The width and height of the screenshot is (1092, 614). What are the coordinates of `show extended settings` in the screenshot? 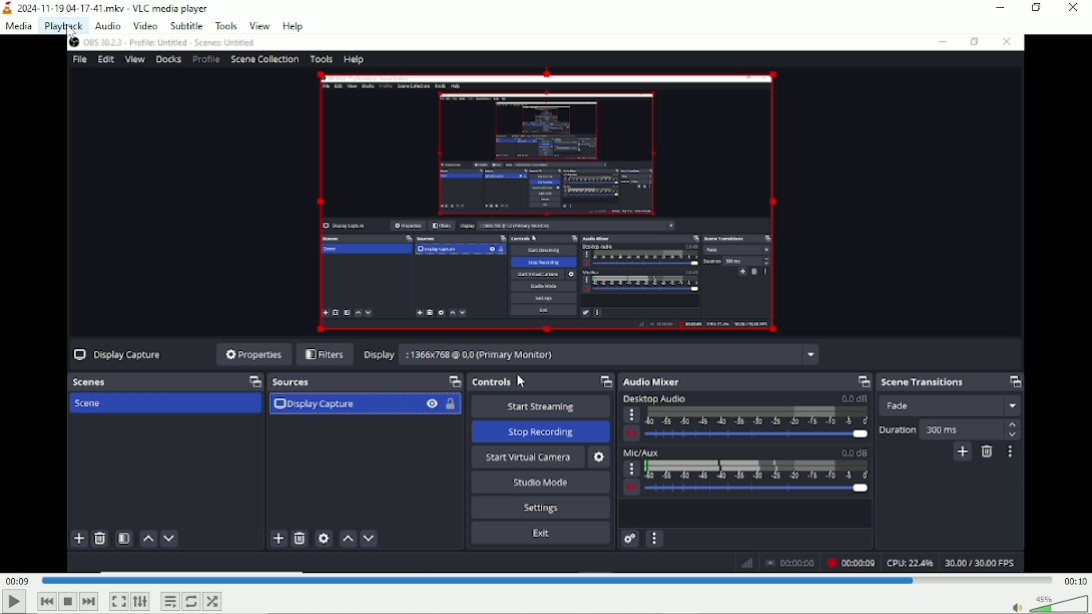 It's located at (141, 602).